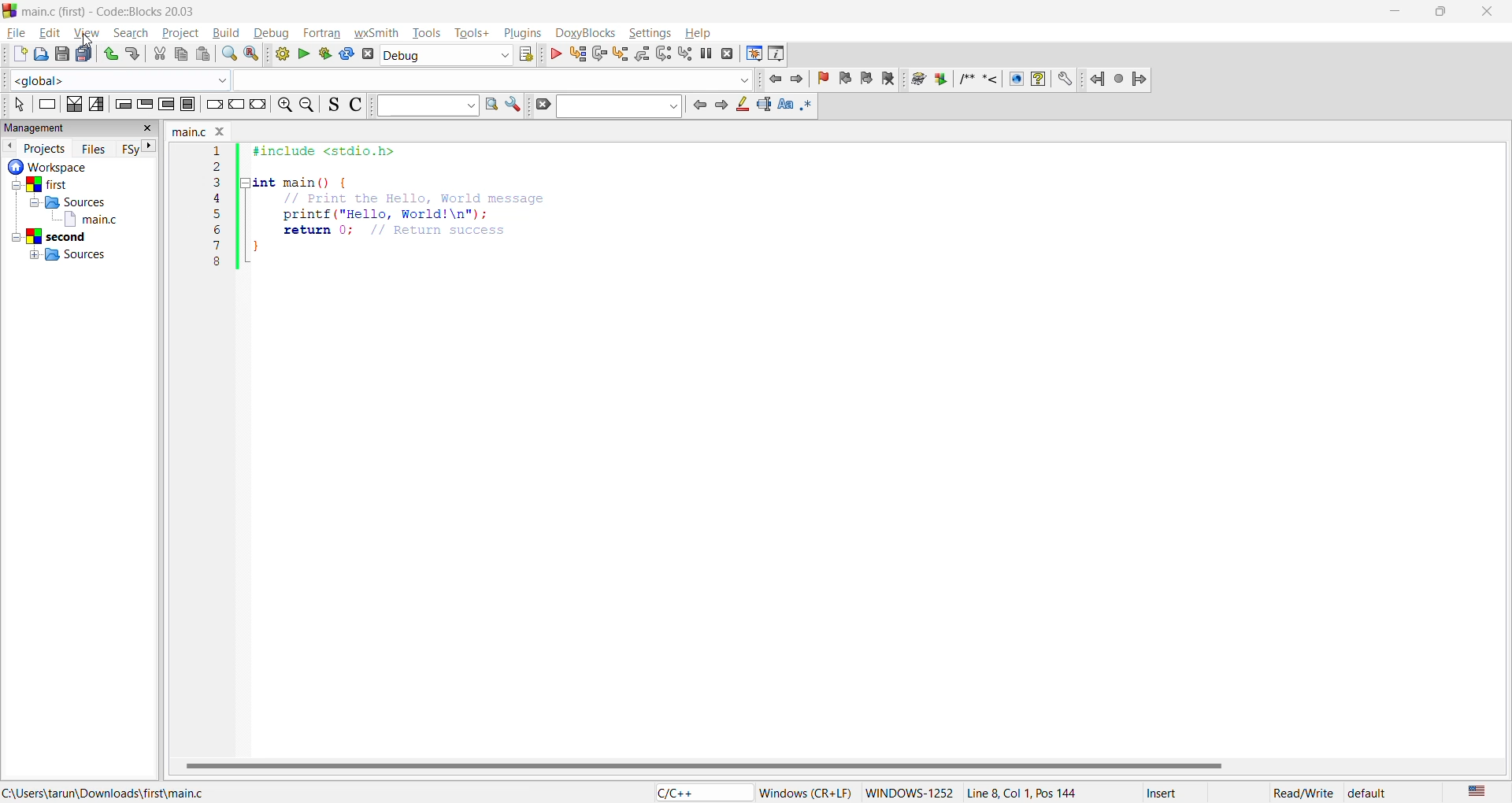 The width and height of the screenshot is (1512, 803). I want to click on Sources, so click(68, 253).